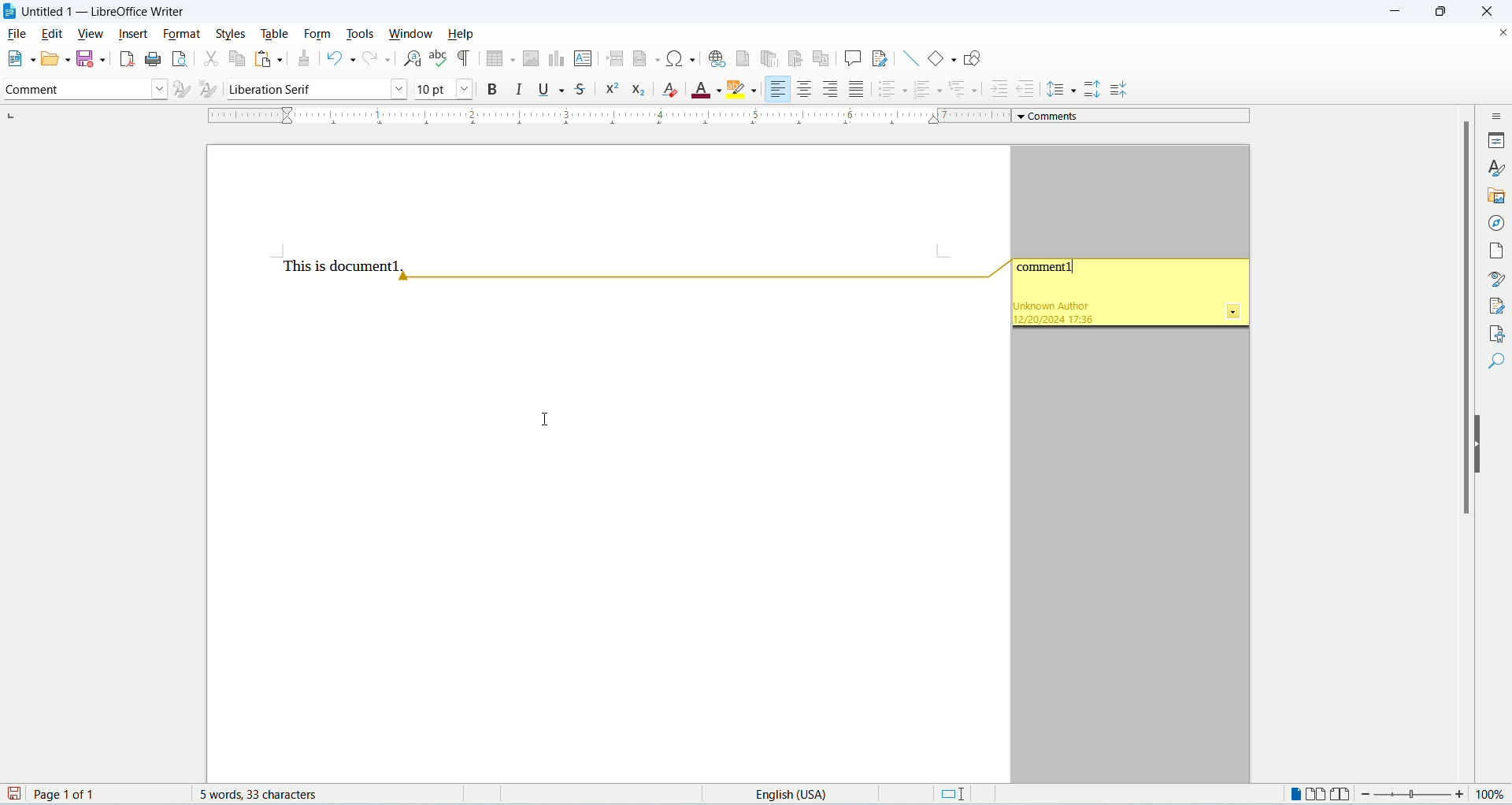 This screenshot has width=1512, height=805. Describe the element at coordinates (880, 59) in the screenshot. I see `show track changes` at that location.